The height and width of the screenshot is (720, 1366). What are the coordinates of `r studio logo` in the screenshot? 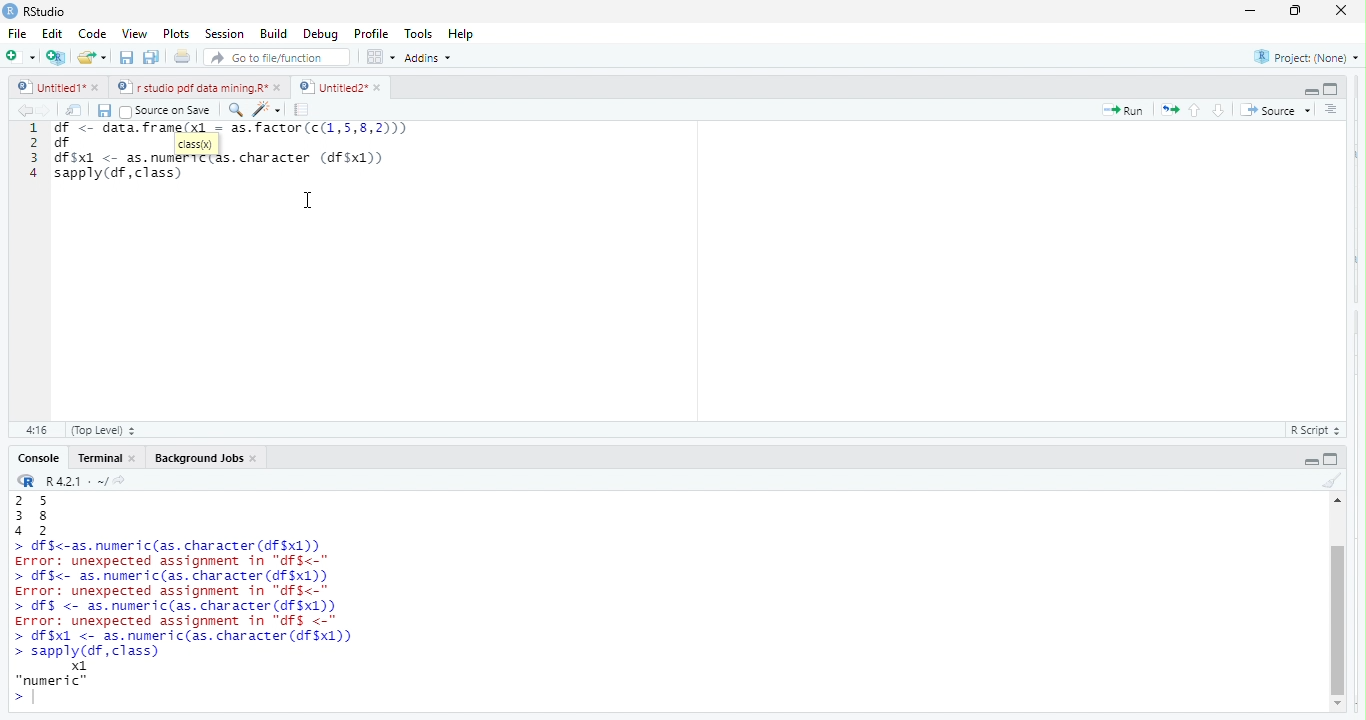 It's located at (27, 481).